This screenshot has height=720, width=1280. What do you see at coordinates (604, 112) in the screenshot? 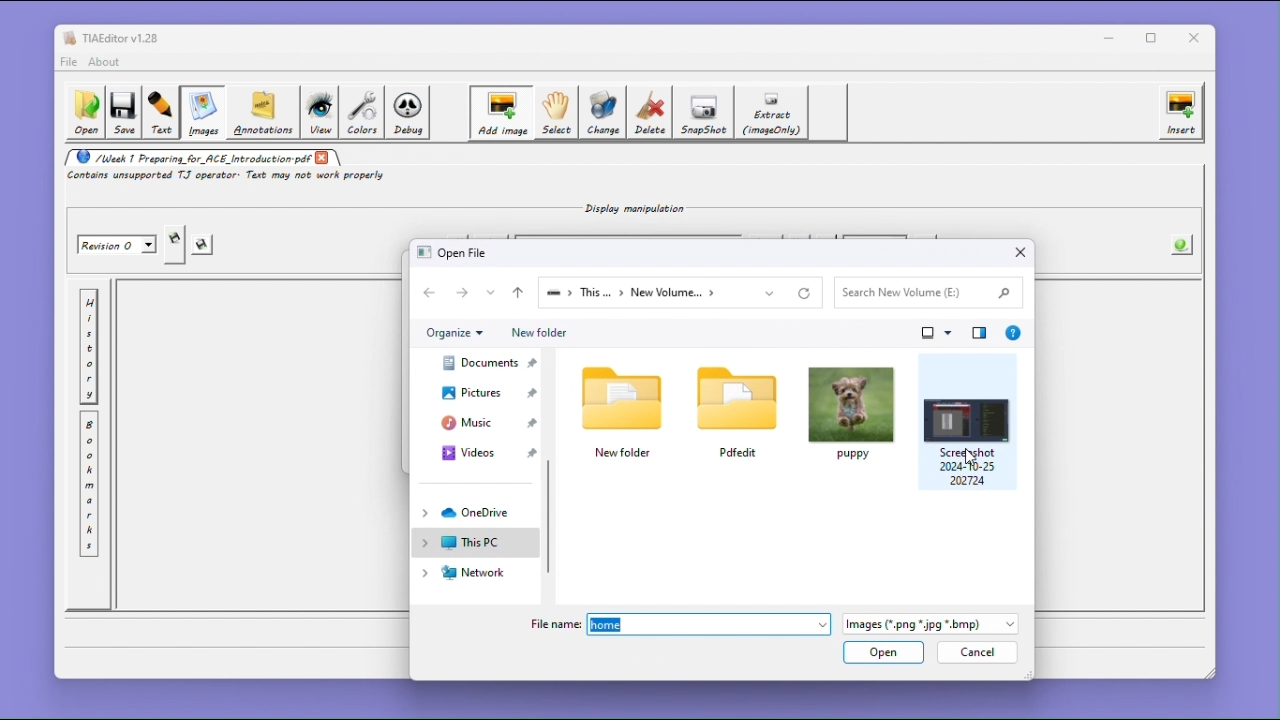
I see `Change` at bounding box center [604, 112].